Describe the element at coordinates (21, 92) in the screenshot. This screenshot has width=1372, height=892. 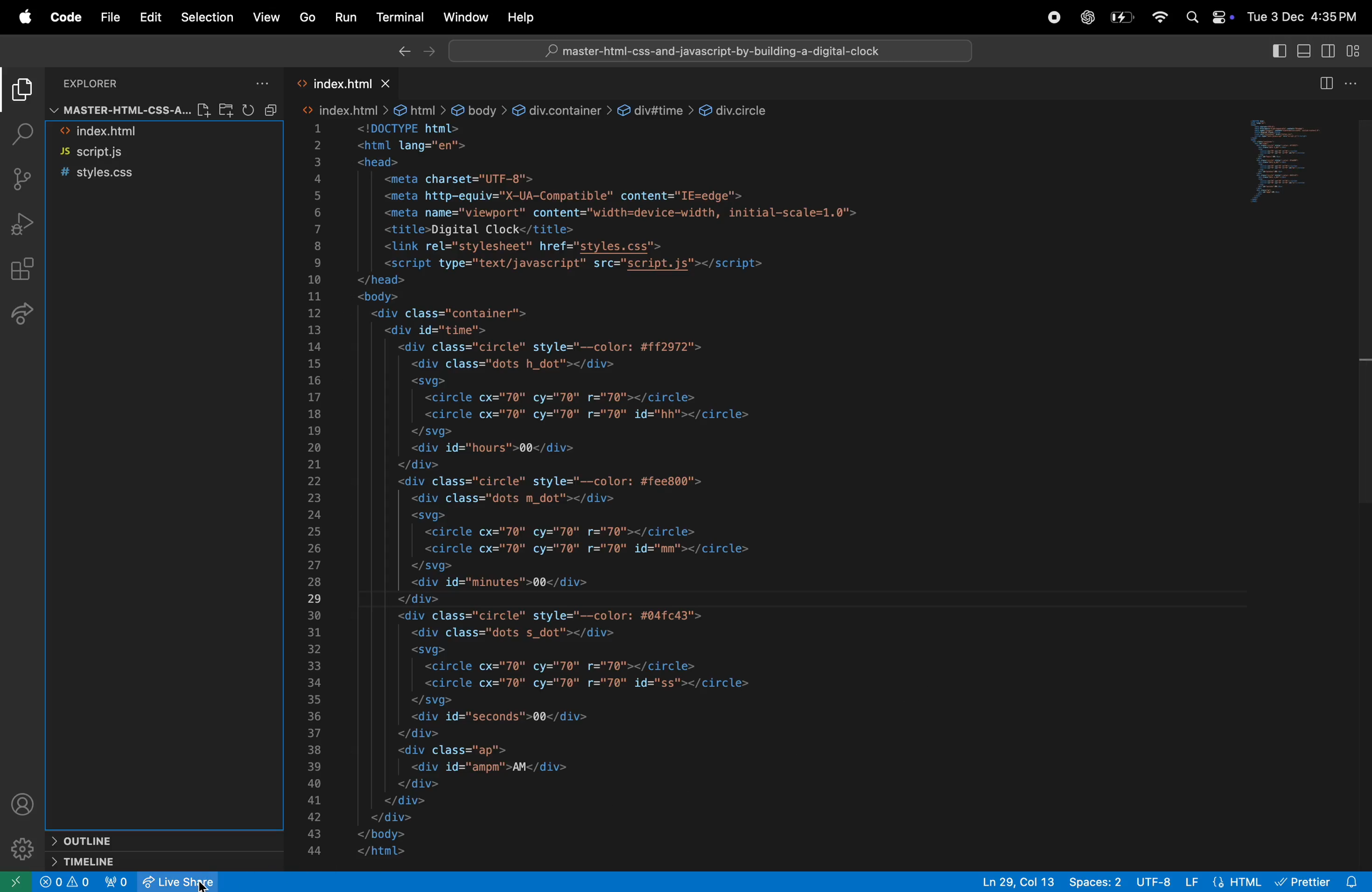
I see `explorer` at that location.